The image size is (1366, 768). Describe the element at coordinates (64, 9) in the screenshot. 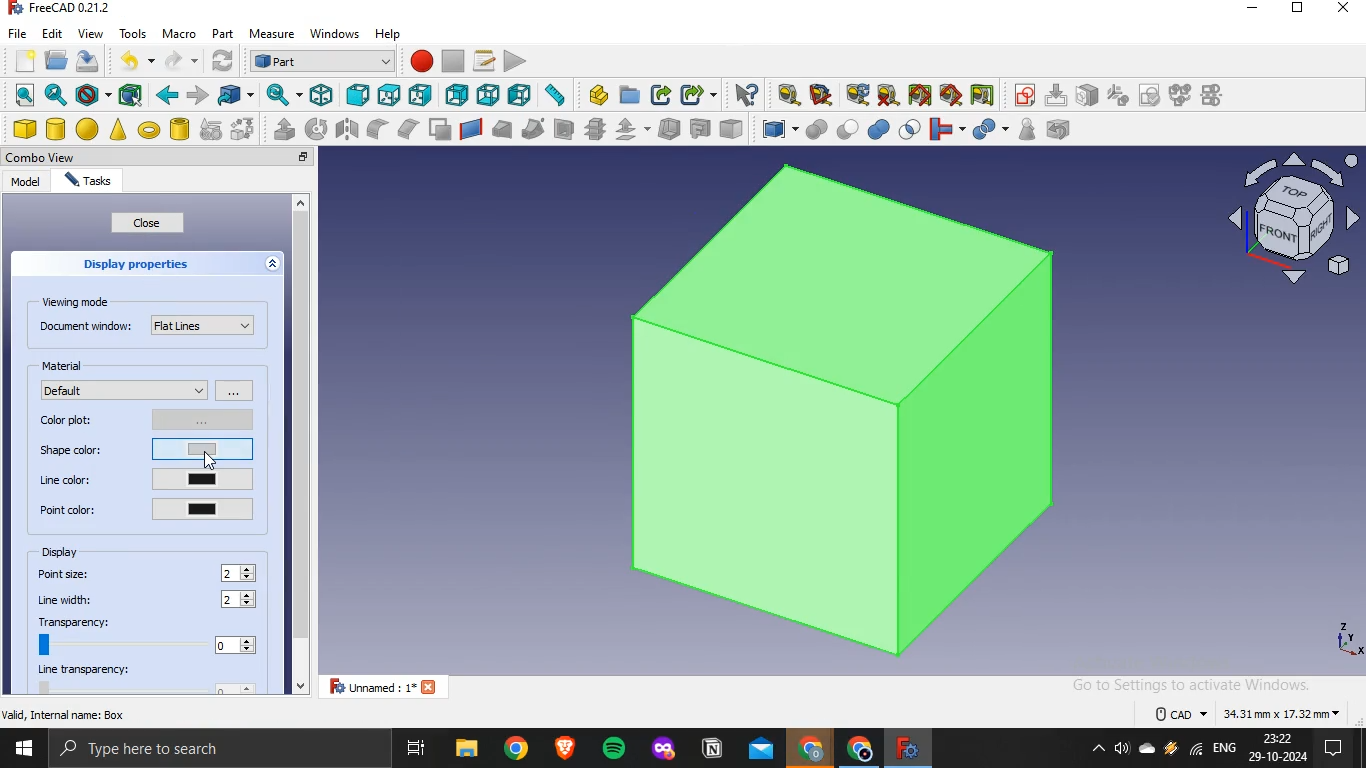

I see `text` at that location.